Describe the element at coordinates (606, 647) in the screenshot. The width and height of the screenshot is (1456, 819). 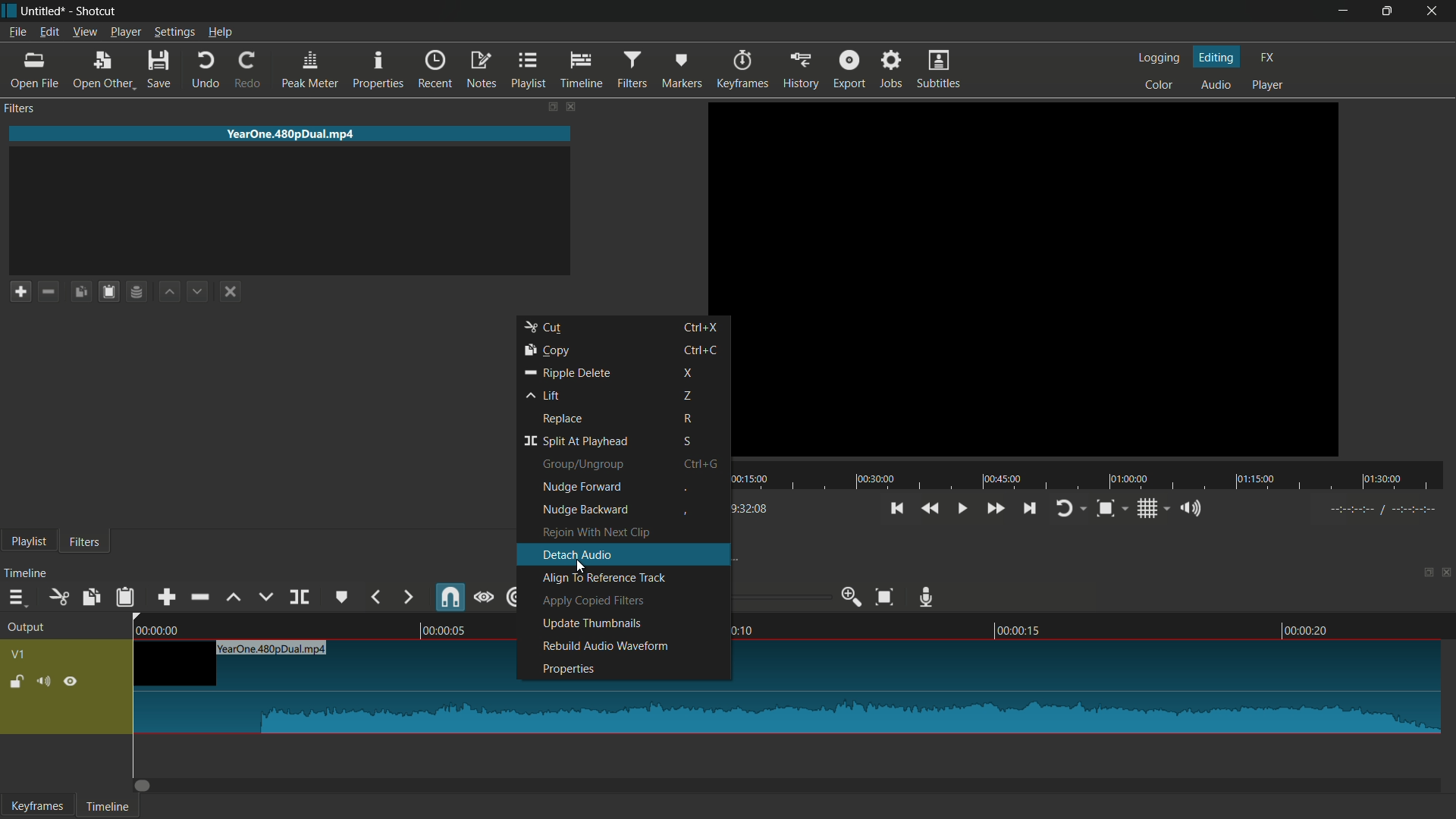
I see `rebuild audio waveform` at that location.